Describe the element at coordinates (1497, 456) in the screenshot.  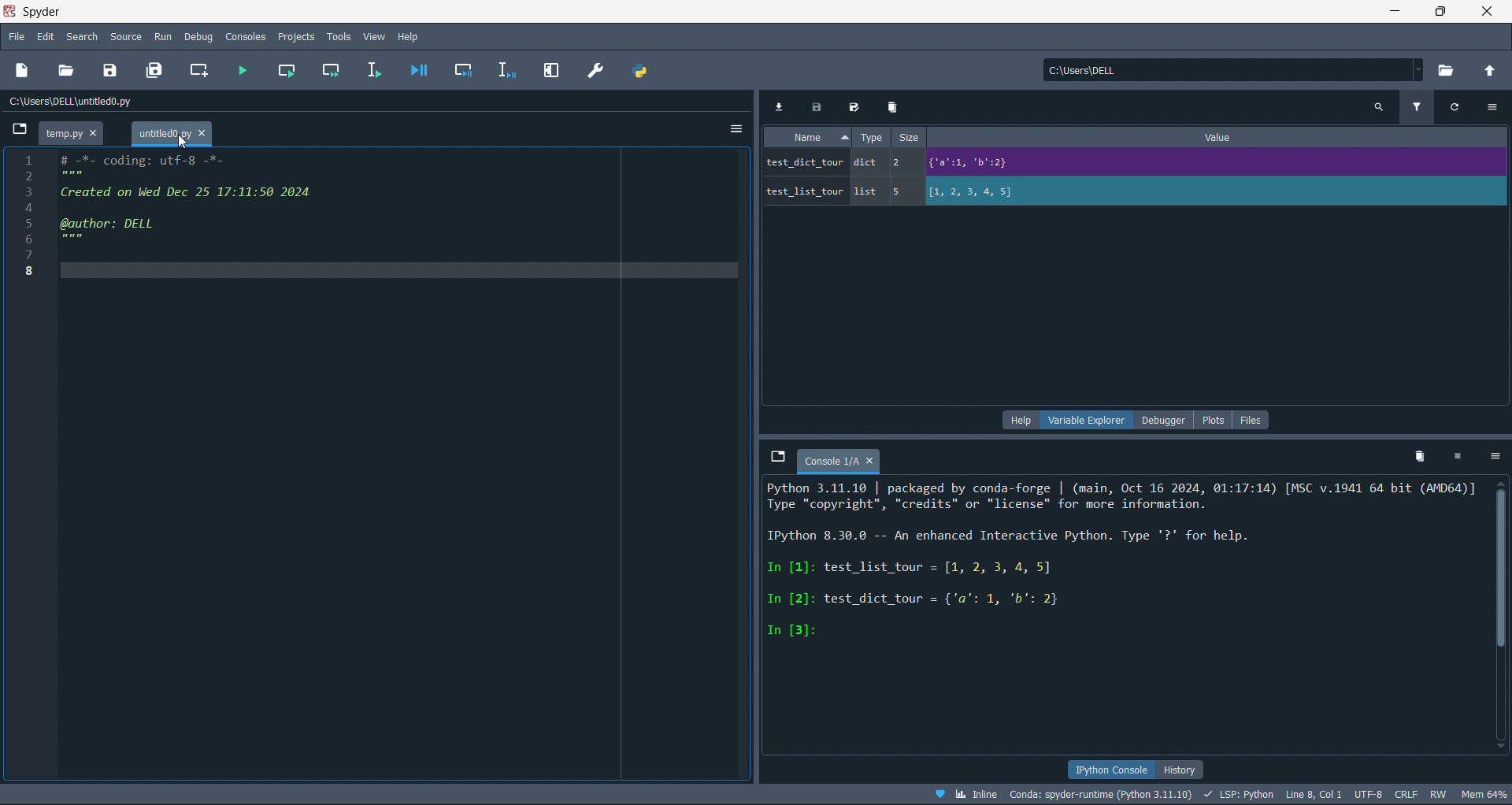
I see `options` at that location.